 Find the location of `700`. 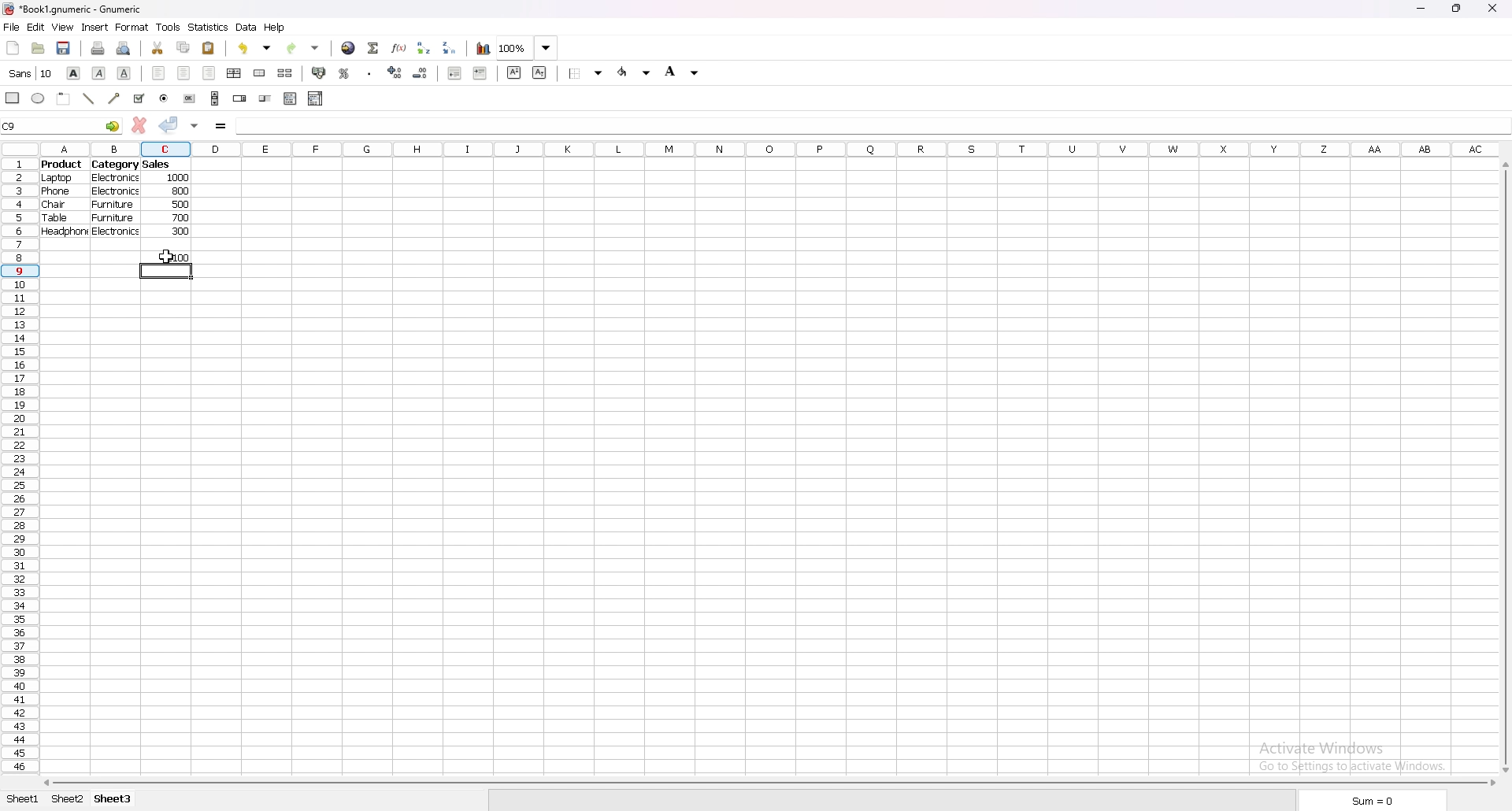

700 is located at coordinates (183, 219).